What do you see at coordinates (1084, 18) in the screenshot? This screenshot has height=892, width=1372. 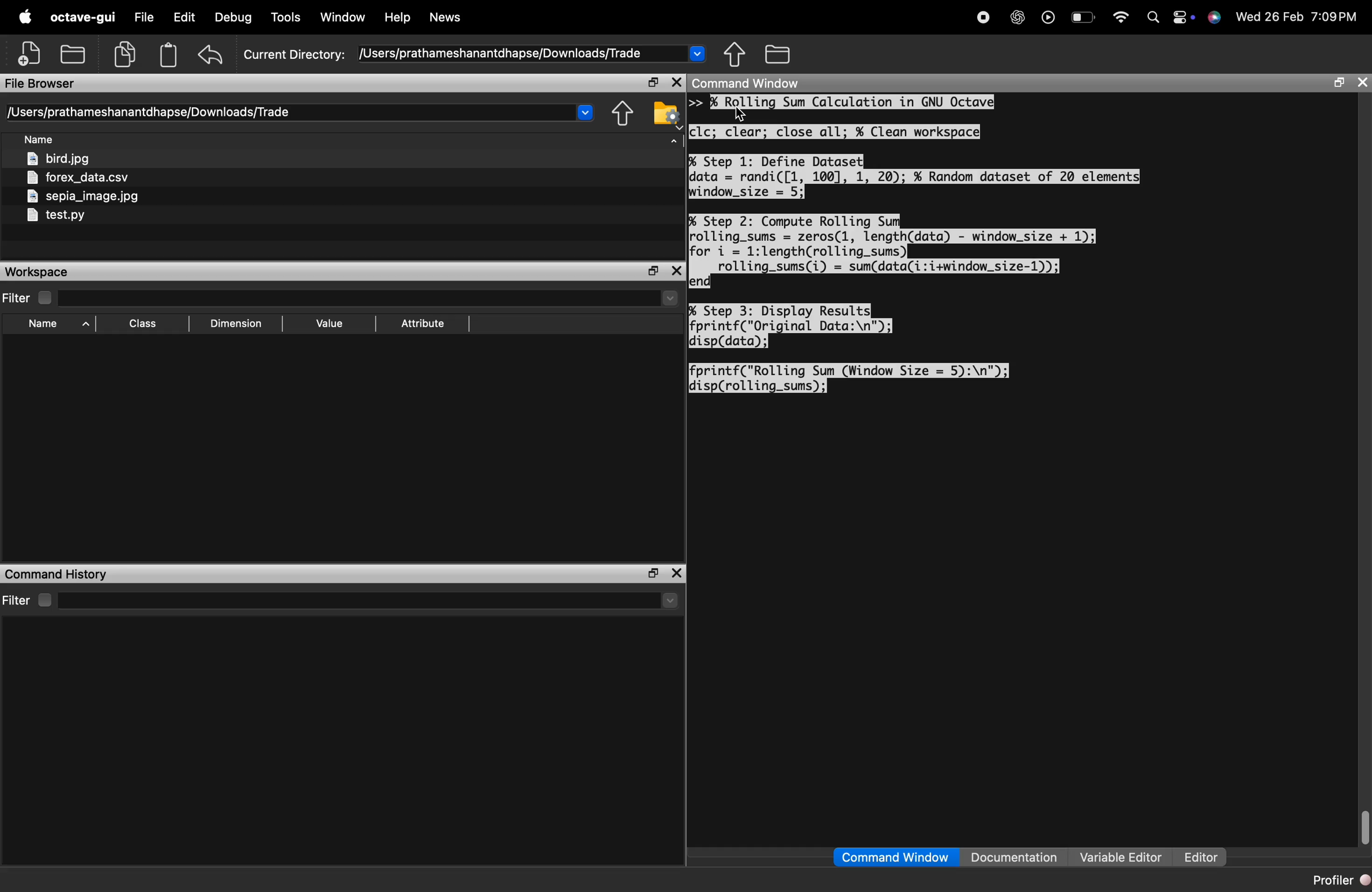 I see `battery` at bounding box center [1084, 18].